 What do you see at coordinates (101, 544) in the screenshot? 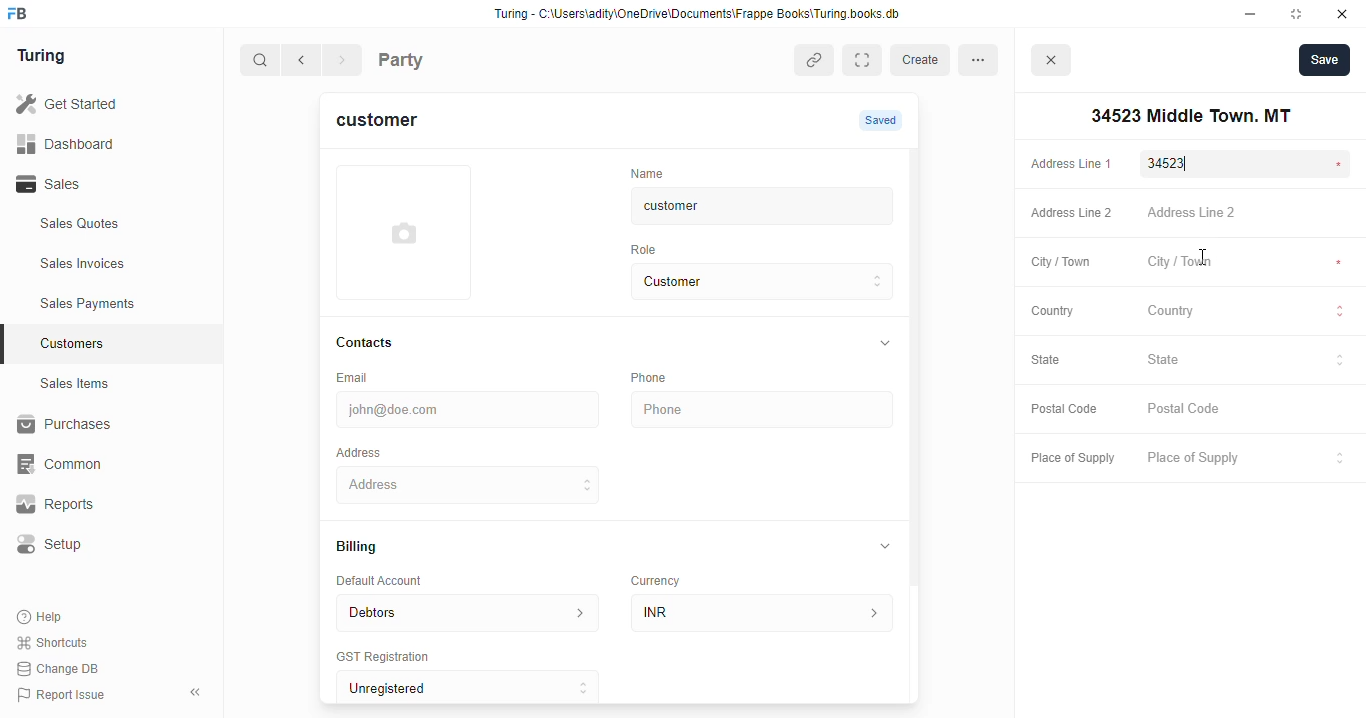
I see `Setup` at bounding box center [101, 544].